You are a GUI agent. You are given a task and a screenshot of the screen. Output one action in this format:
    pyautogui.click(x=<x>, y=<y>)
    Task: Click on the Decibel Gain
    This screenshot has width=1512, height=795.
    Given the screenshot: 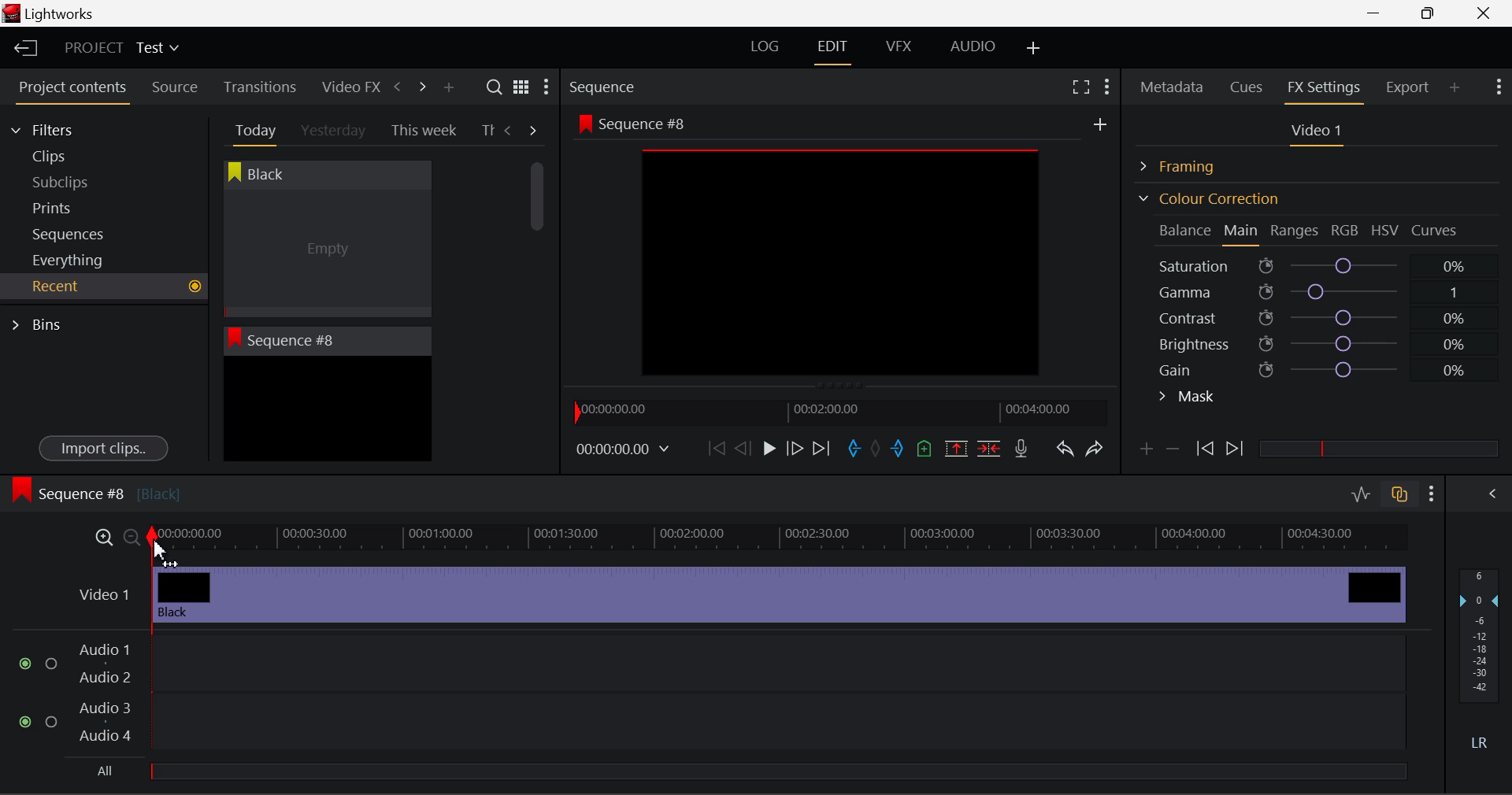 What is the action you would take?
    pyautogui.click(x=1478, y=663)
    